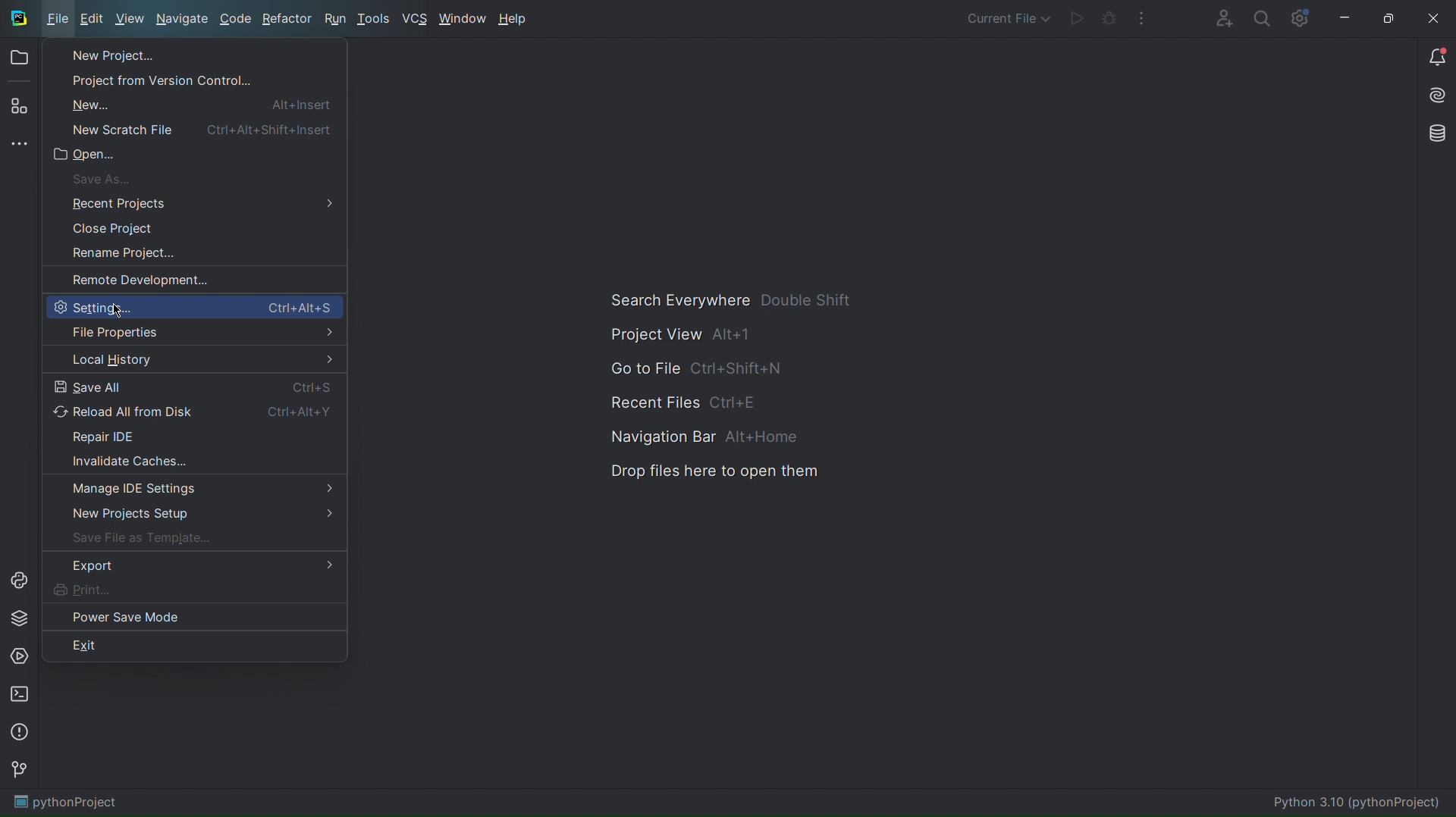 The width and height of the screenshot is (1456, 817). I want to click on Settings, so click(1300, 19).